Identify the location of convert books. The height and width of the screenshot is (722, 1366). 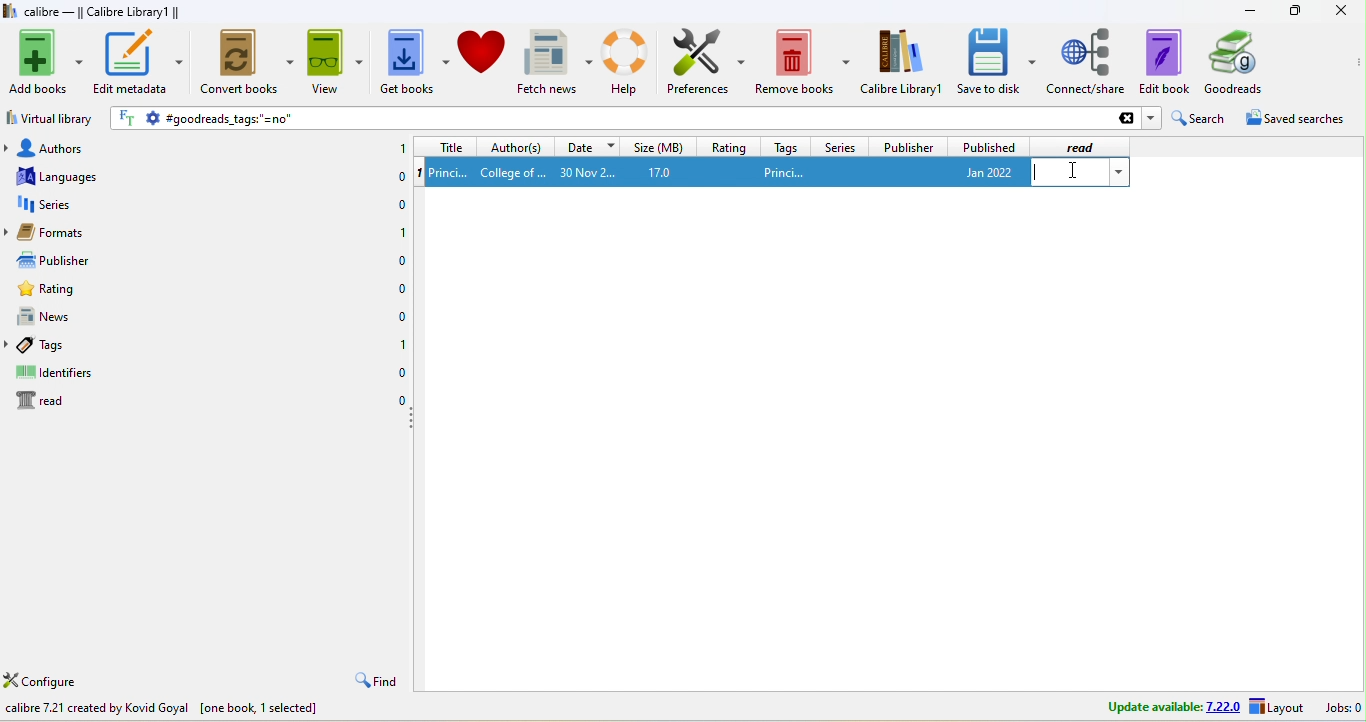
(248, 63).